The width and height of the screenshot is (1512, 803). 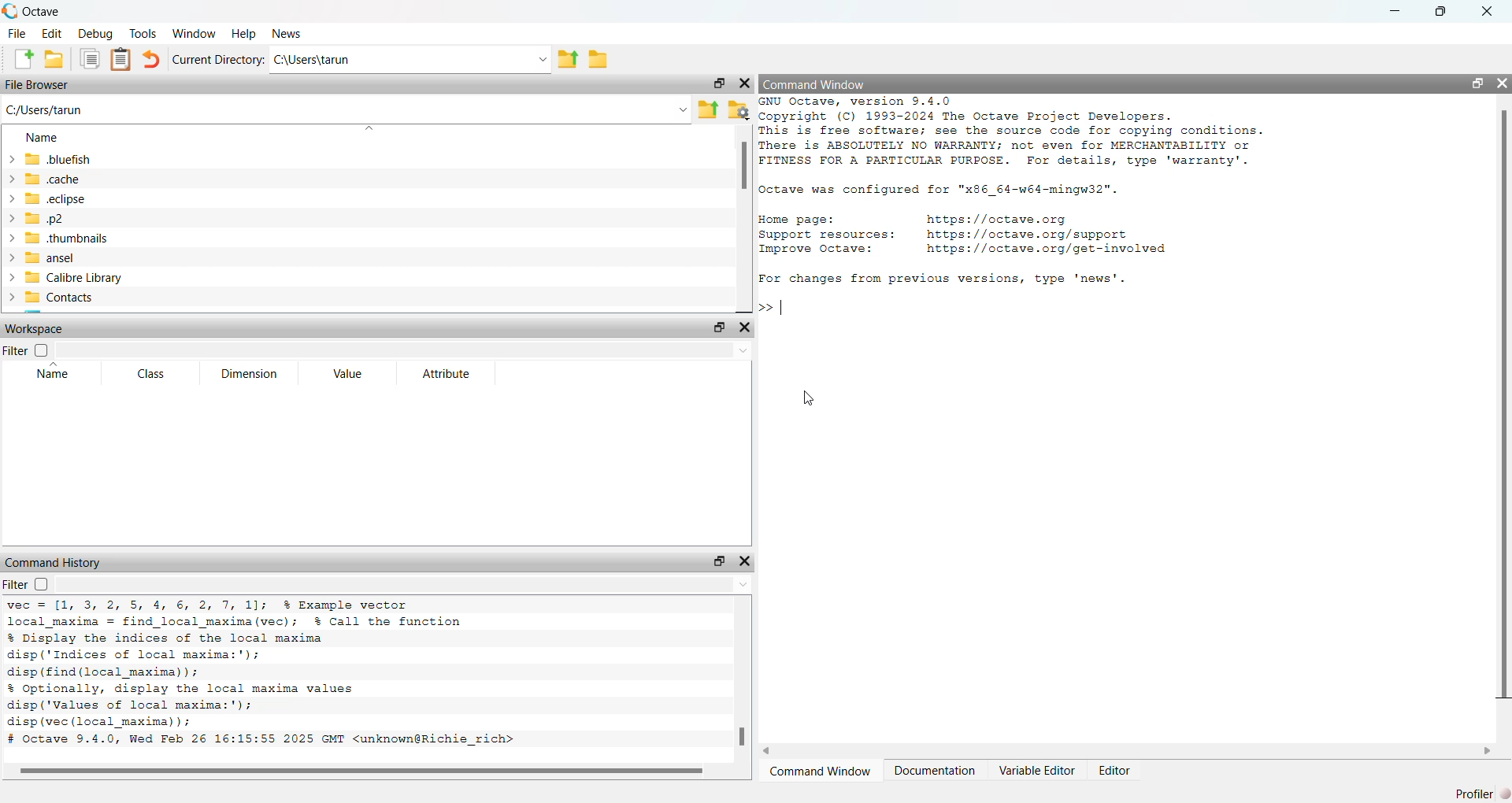 What do you see at coordinates (42, 12) in the screenshot?
I see `Octave` at bounding box center [42, 12].